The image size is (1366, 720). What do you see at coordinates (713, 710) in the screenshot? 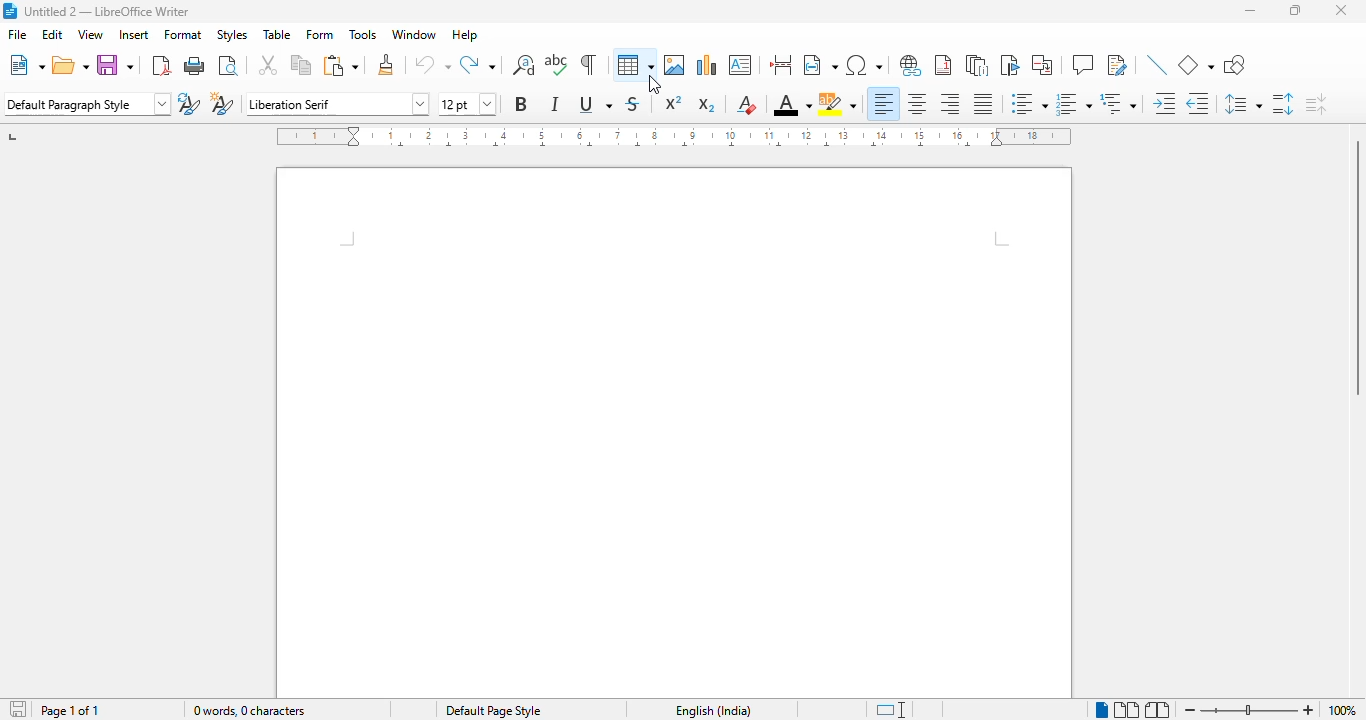
I see `text language` at bounding box center [713, 710].